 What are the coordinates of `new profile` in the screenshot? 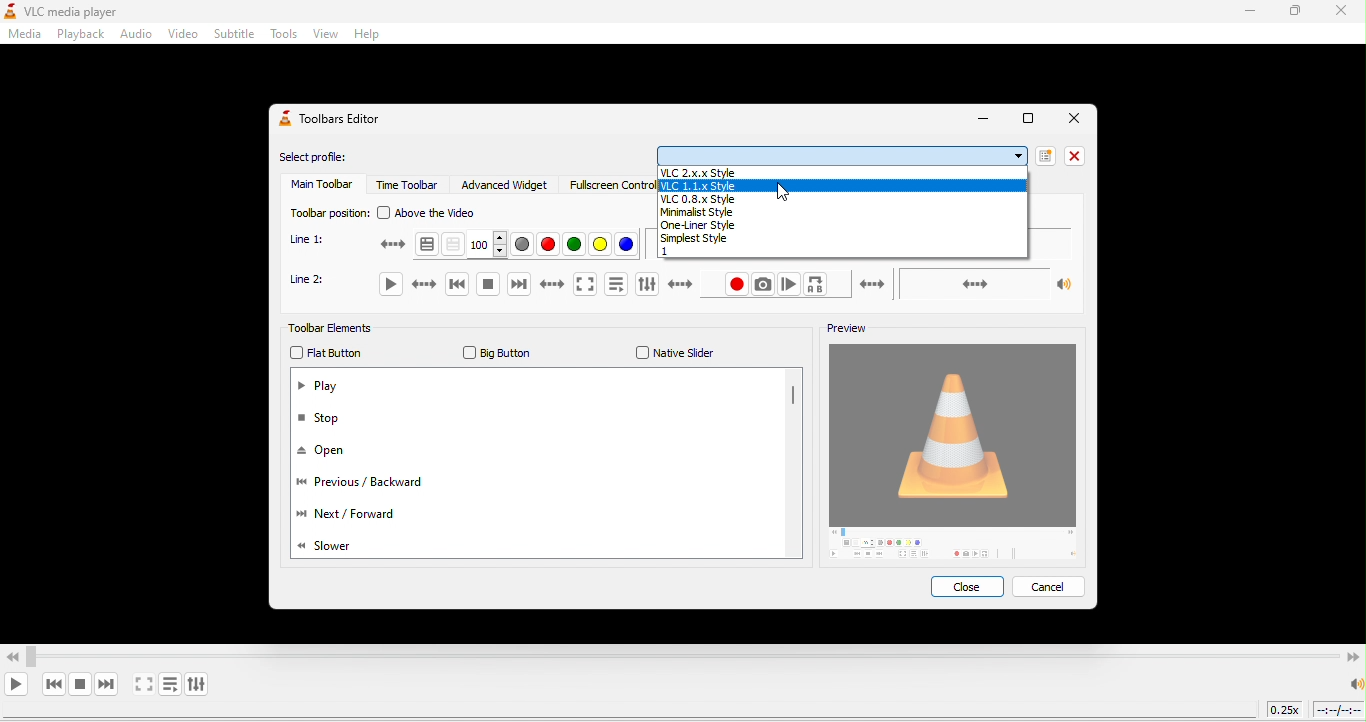 It's located at (1042, 155).